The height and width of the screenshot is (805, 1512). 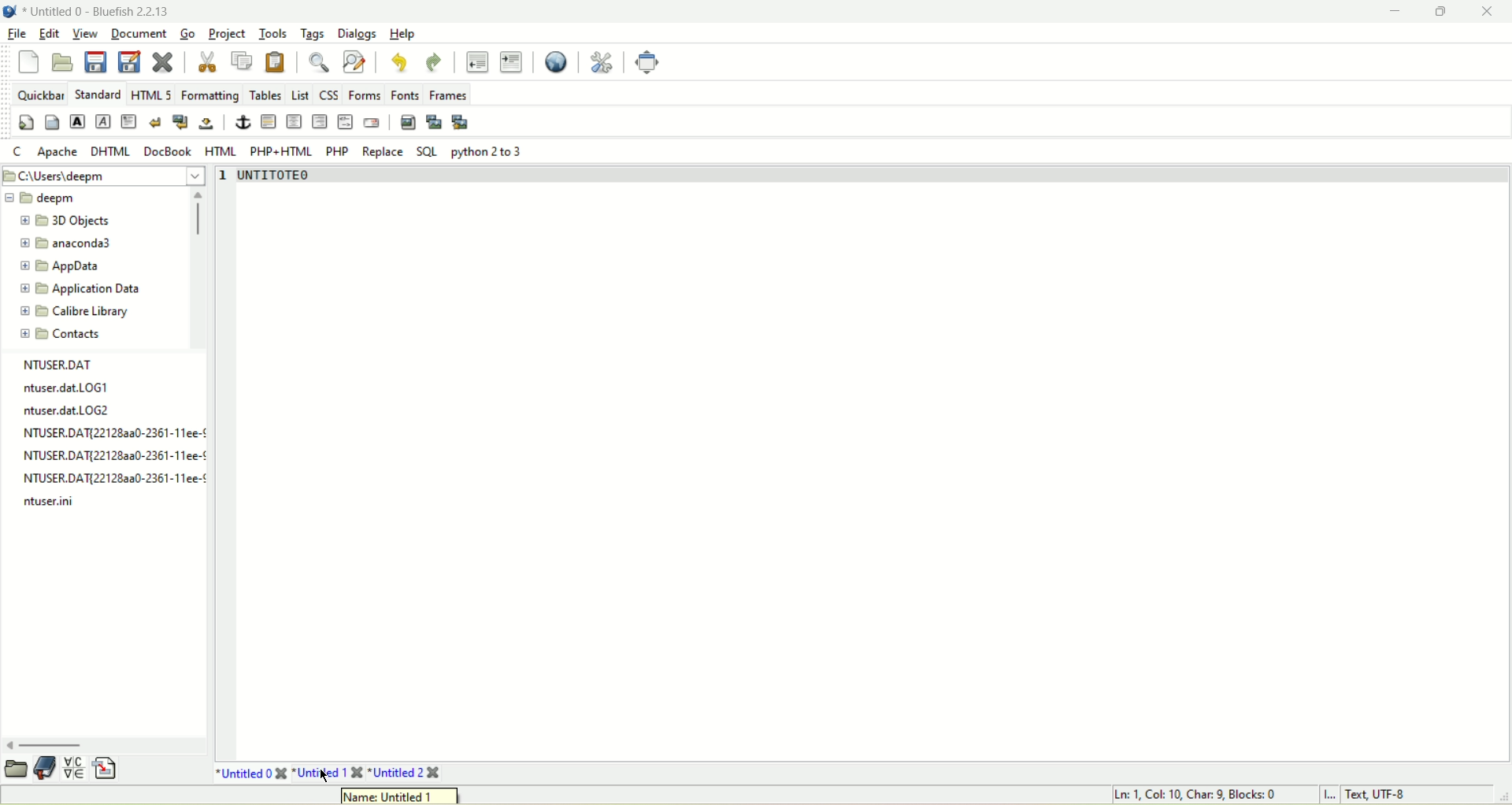 I want to click on untitled 1, so click(x=330, y=776).